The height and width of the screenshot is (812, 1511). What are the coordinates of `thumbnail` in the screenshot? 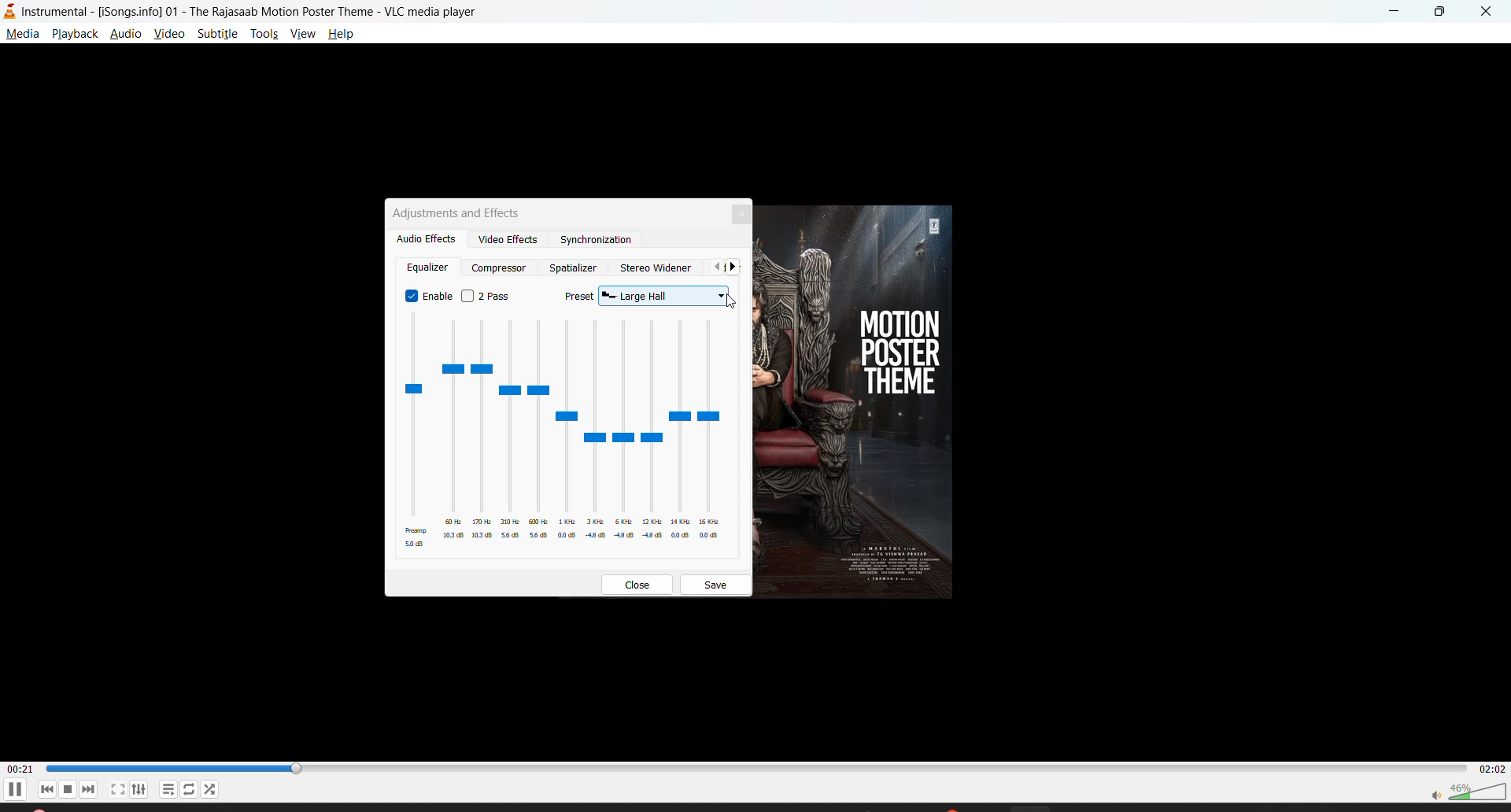 It's located at (878, 398).